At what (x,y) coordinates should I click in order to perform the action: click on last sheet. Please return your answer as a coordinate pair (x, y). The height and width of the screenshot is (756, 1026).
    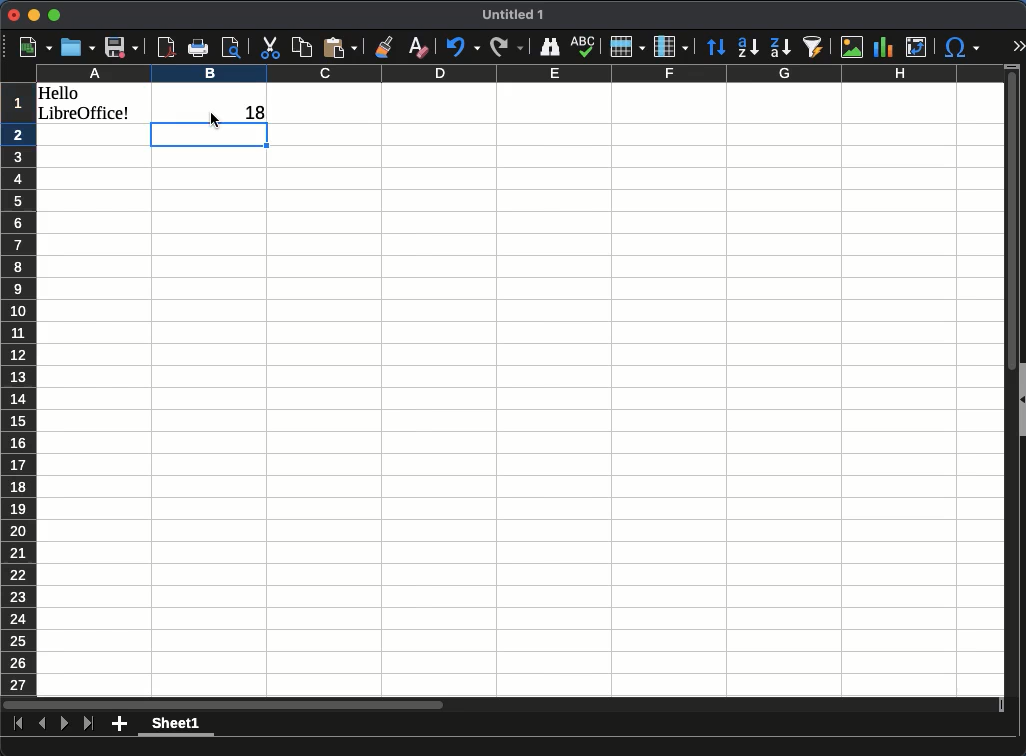
    Looking at the image, I should click on (19, 724).